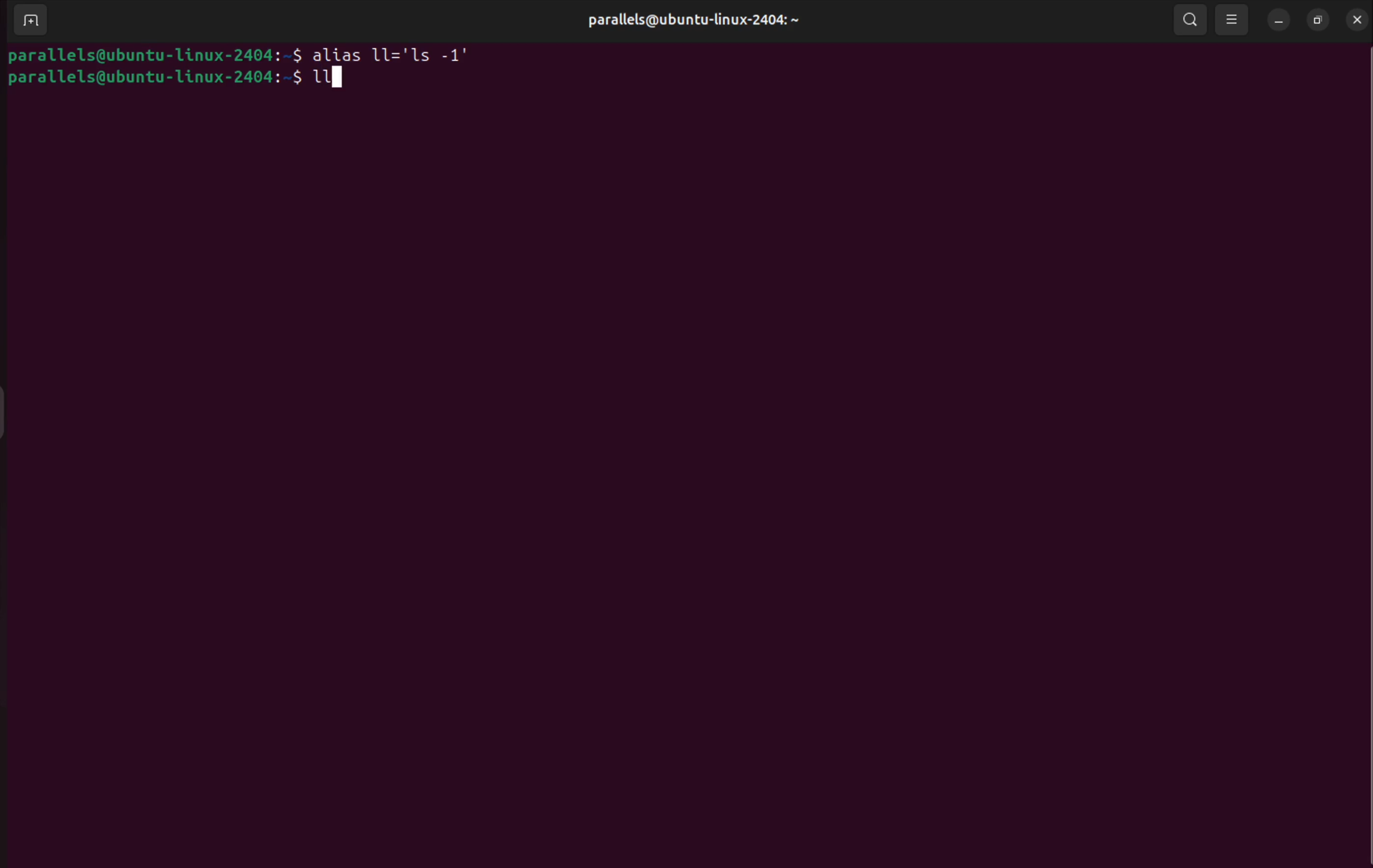 The height and width of the screenshot is (868, 1373). What do you see at coordinates (154, 54) in the screenshot?
I see `bash prompt` at bounding box center [154, 54].